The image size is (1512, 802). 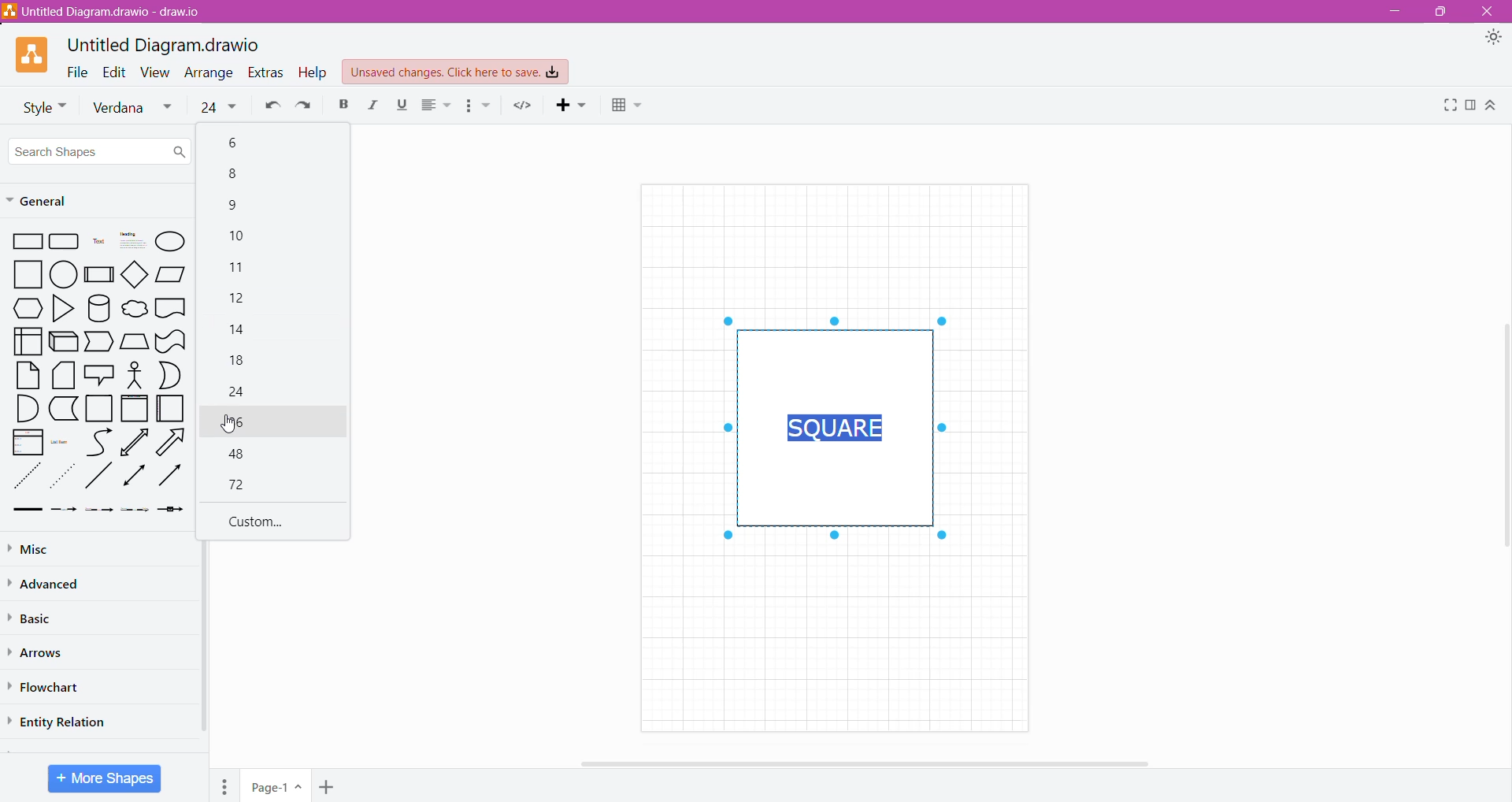 I want to click on Help, so click(x=313, y=73).